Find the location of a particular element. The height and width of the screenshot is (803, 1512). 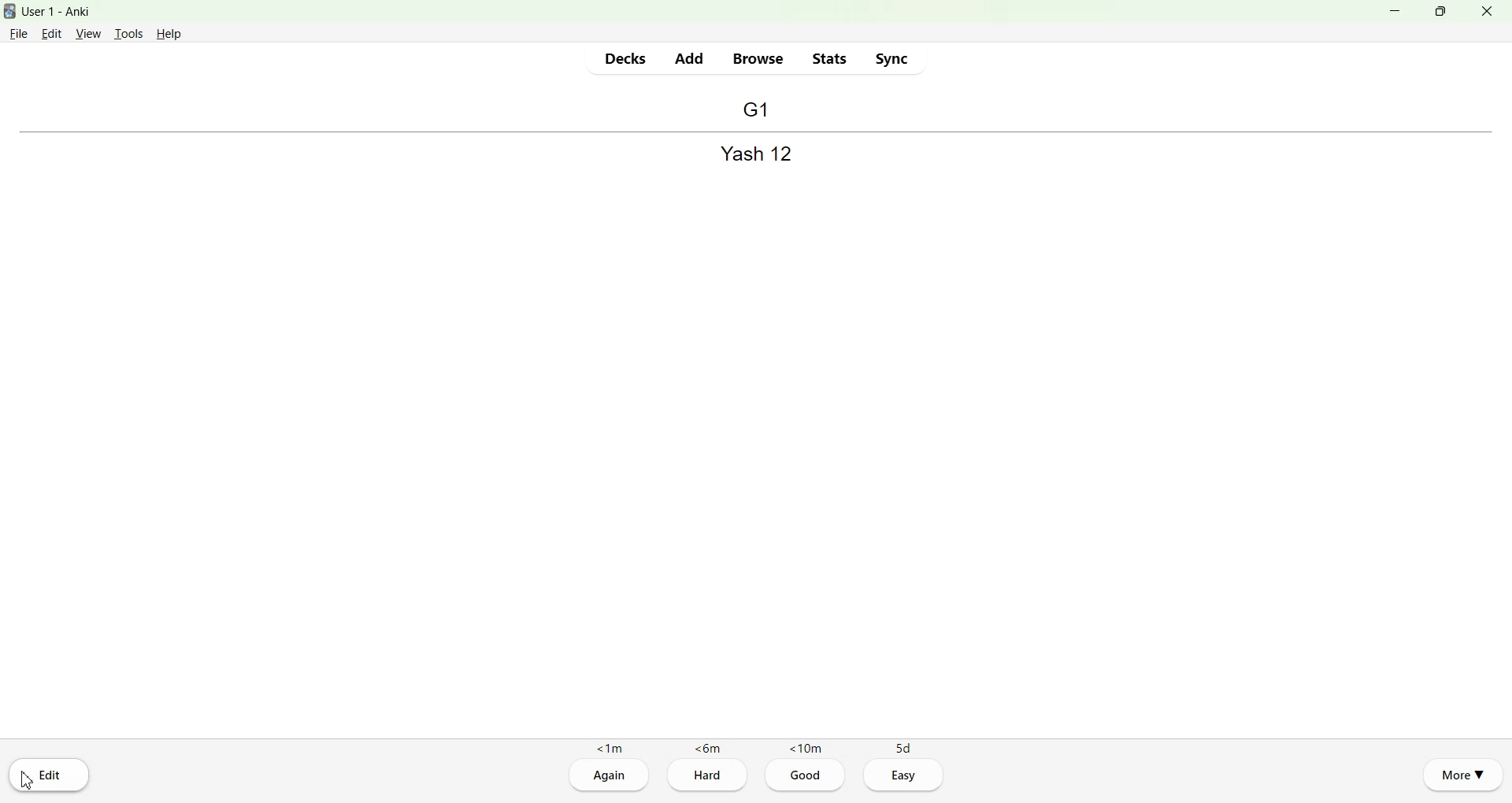

Help is located at coordinates (169, 34).